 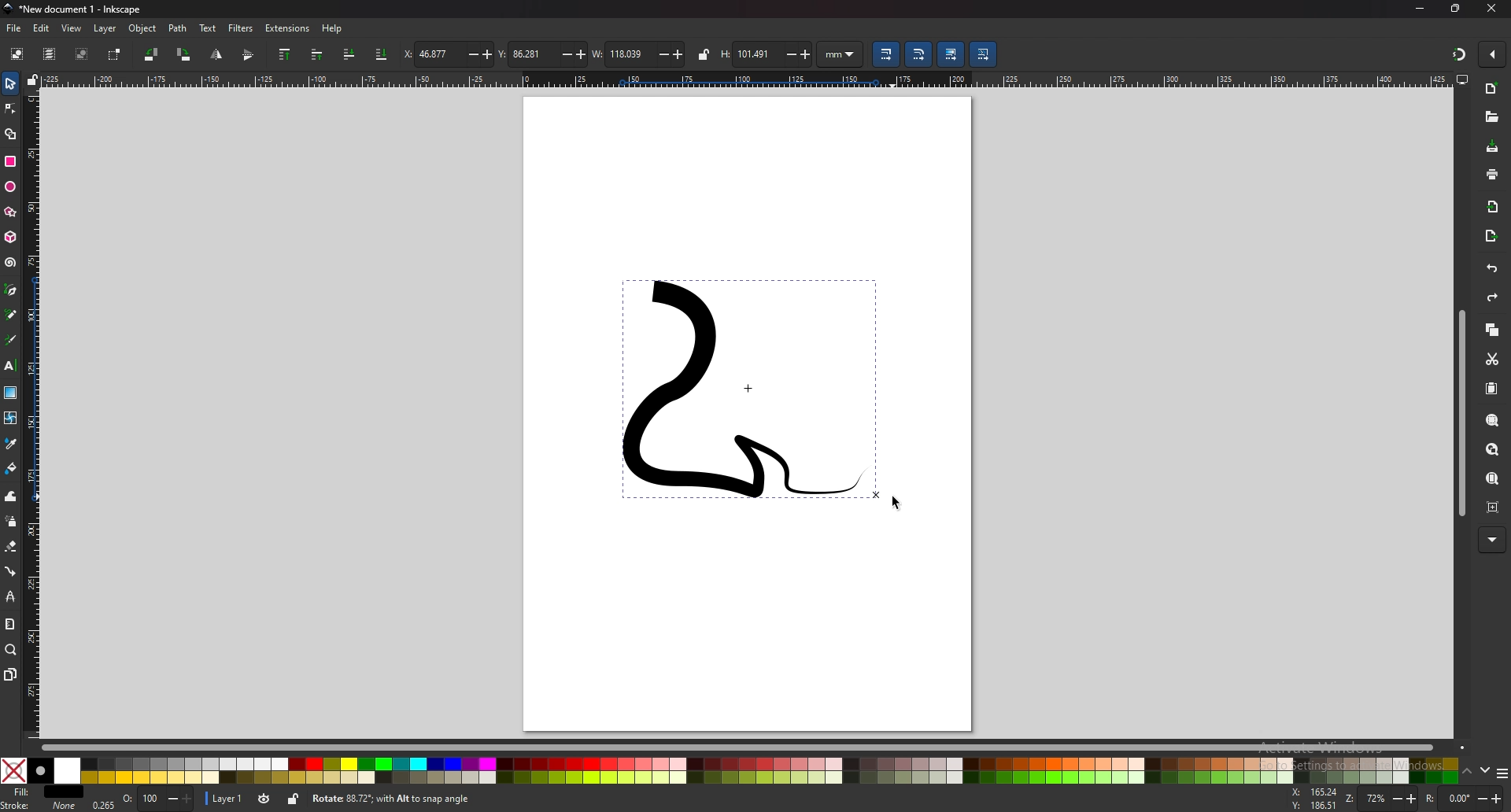 I want to click on stroke, so click(x=40, y=806).